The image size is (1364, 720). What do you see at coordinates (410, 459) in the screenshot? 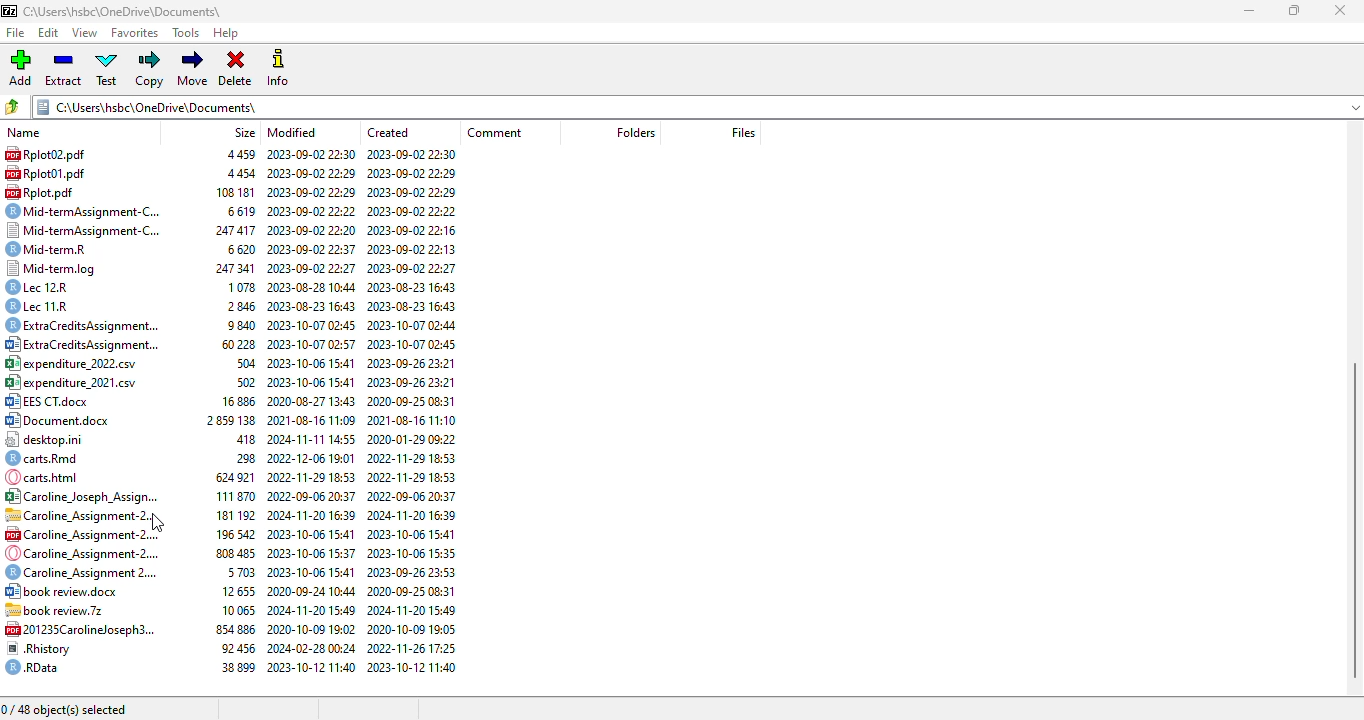
I see `2022-11-29 18:53` at bounding box center [410, 459].